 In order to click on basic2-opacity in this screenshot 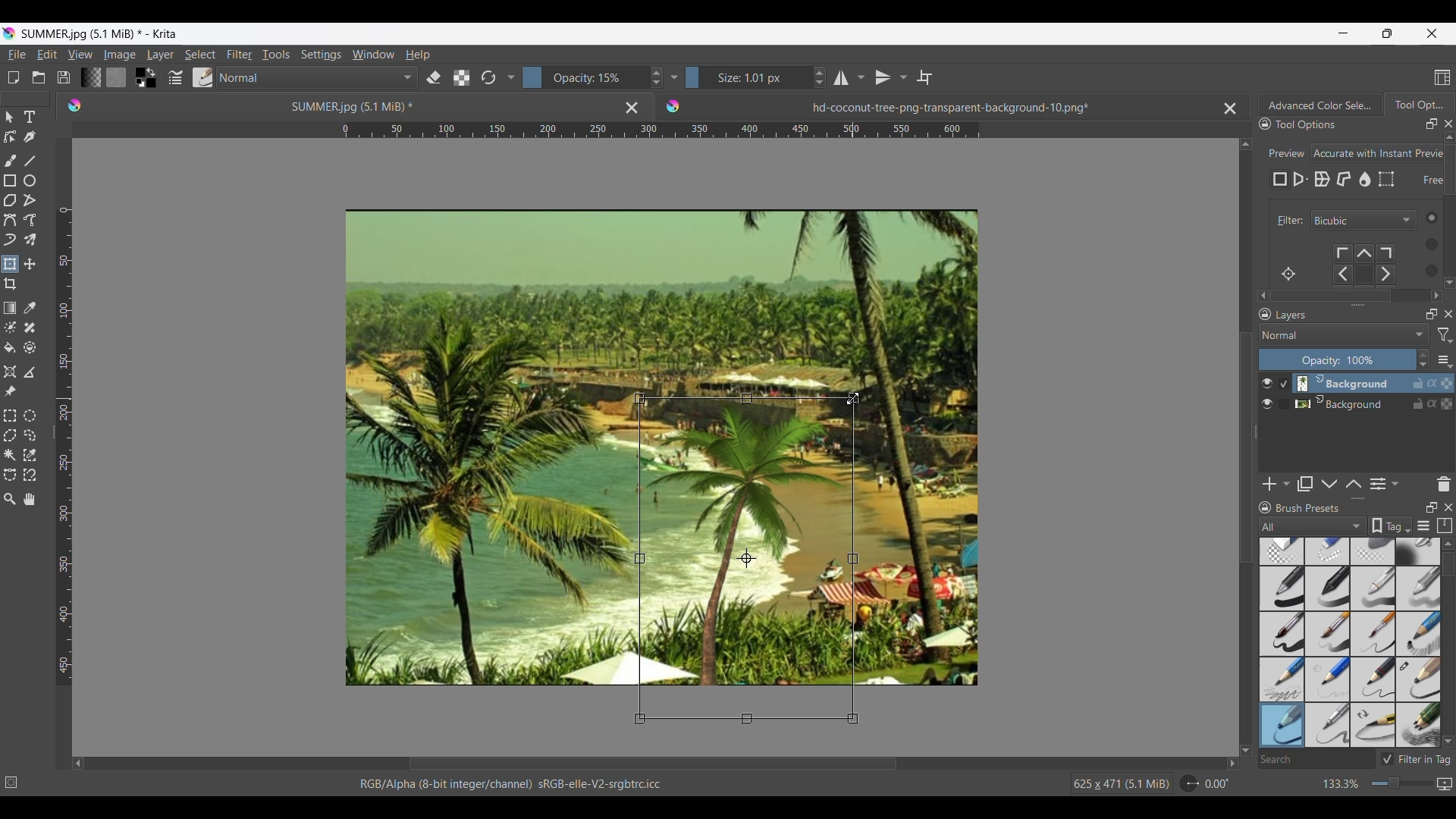, I will do `click(1328, 588)`.